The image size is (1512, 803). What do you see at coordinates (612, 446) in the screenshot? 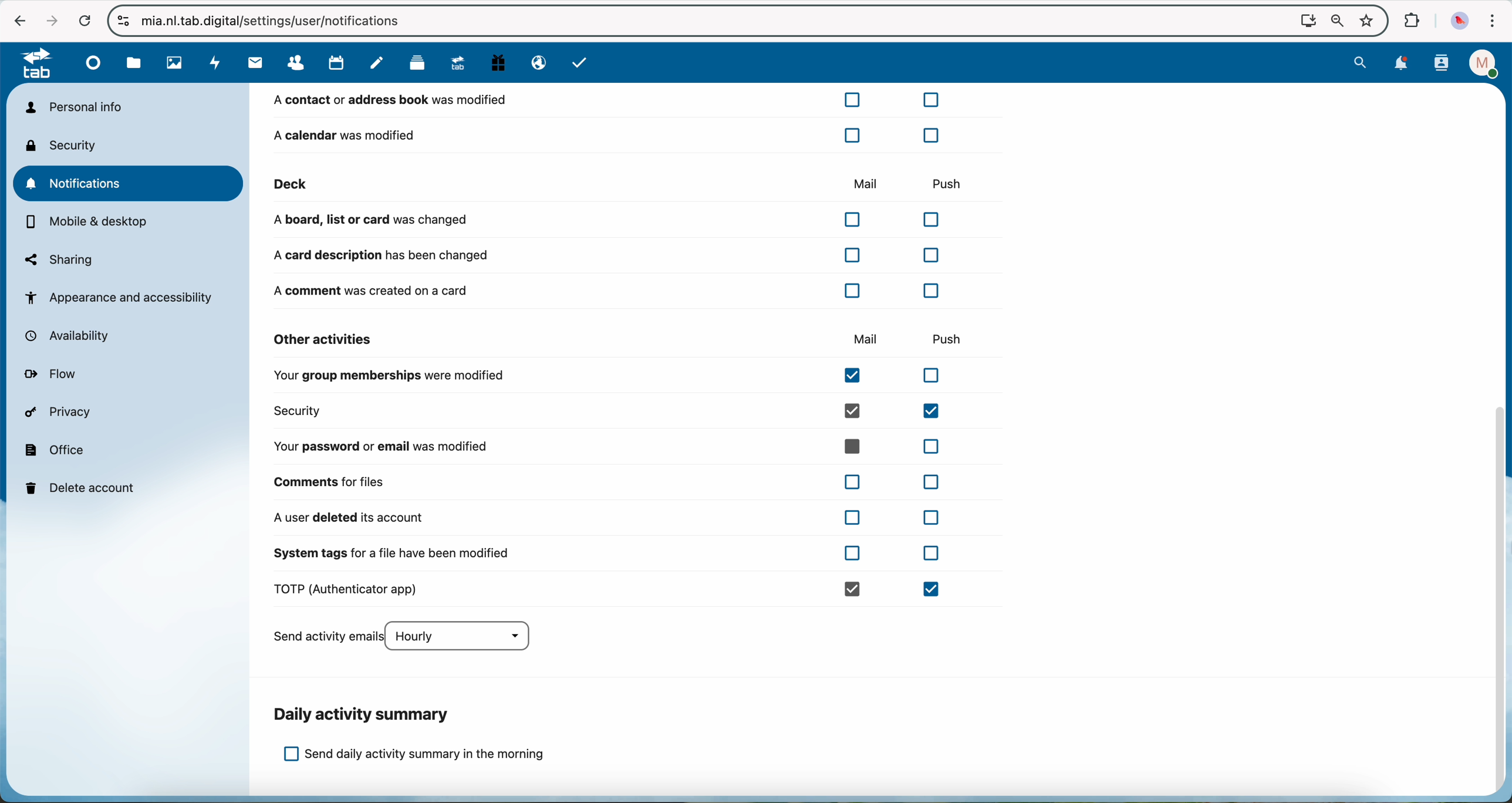
I see `your password or email was modified` at bounding box center [612, 446].